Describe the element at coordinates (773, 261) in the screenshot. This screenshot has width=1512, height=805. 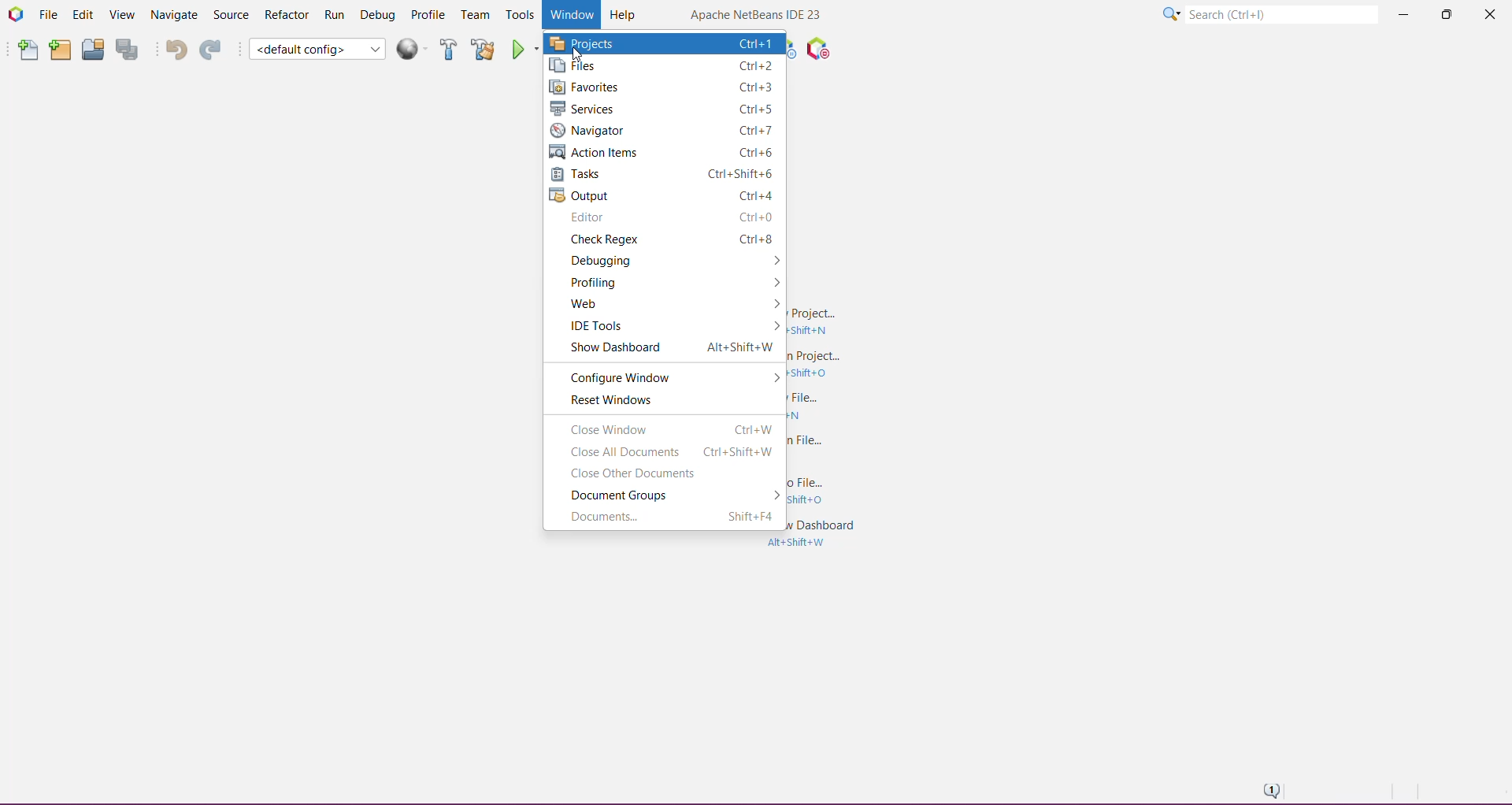
I see `More Options` at that location.